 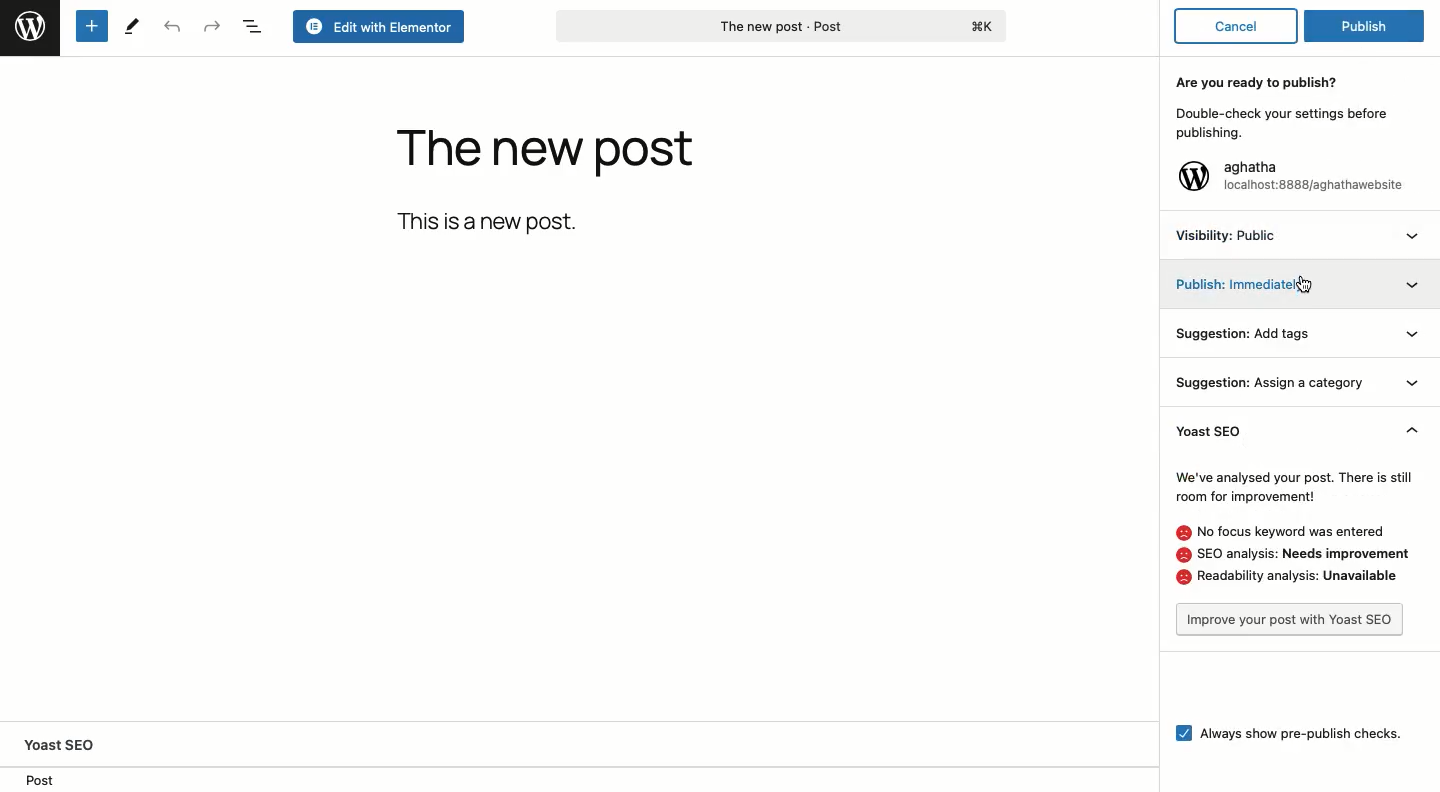 I want to click on Expand, so click(x=1413, y=334).